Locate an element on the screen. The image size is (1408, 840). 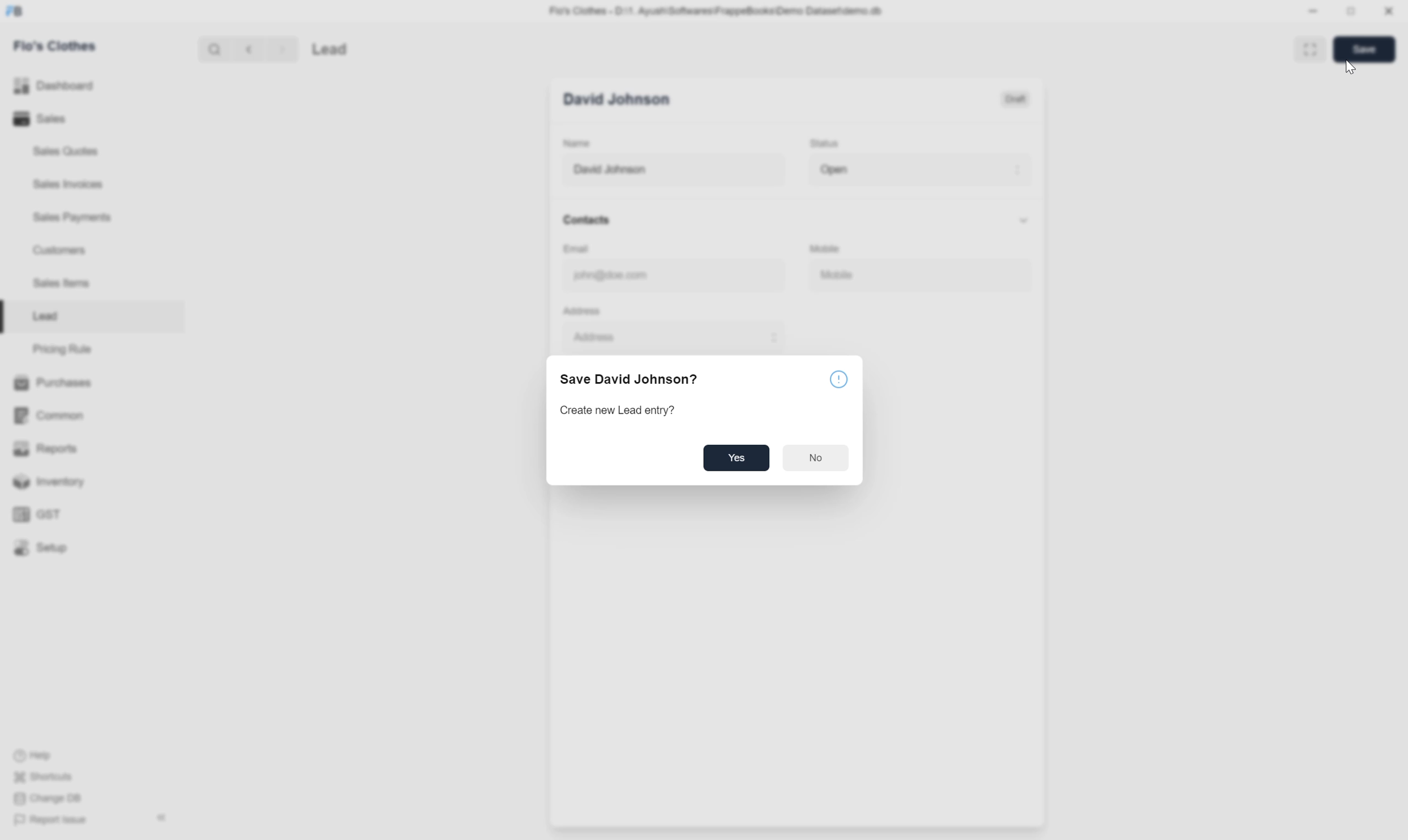
close down is located at coordinates (1352, 10).